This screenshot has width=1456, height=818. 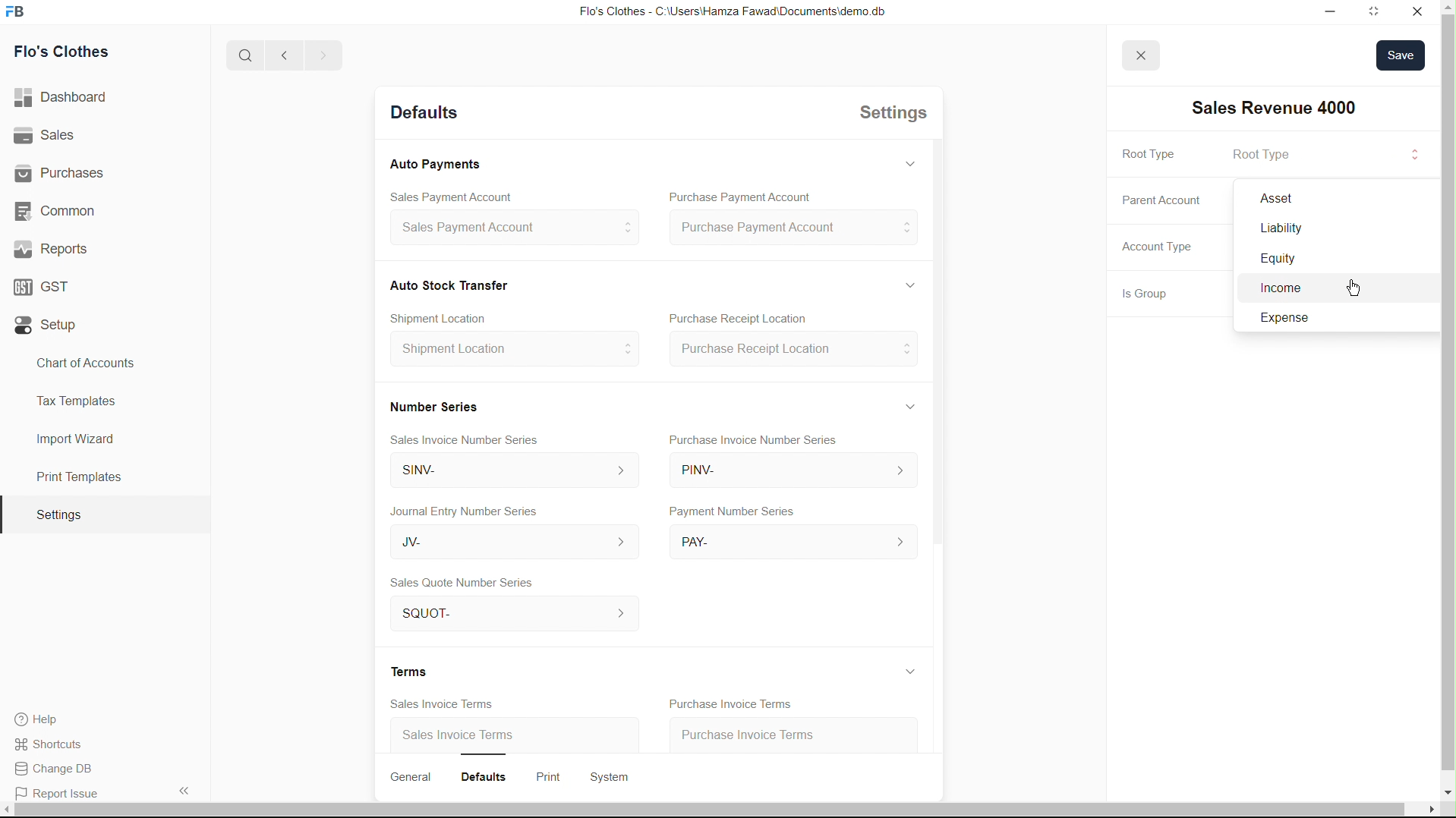 What do you see at coordinates (421, 777) in the screenshot?
I see `General` at bounding box center [421, 777].